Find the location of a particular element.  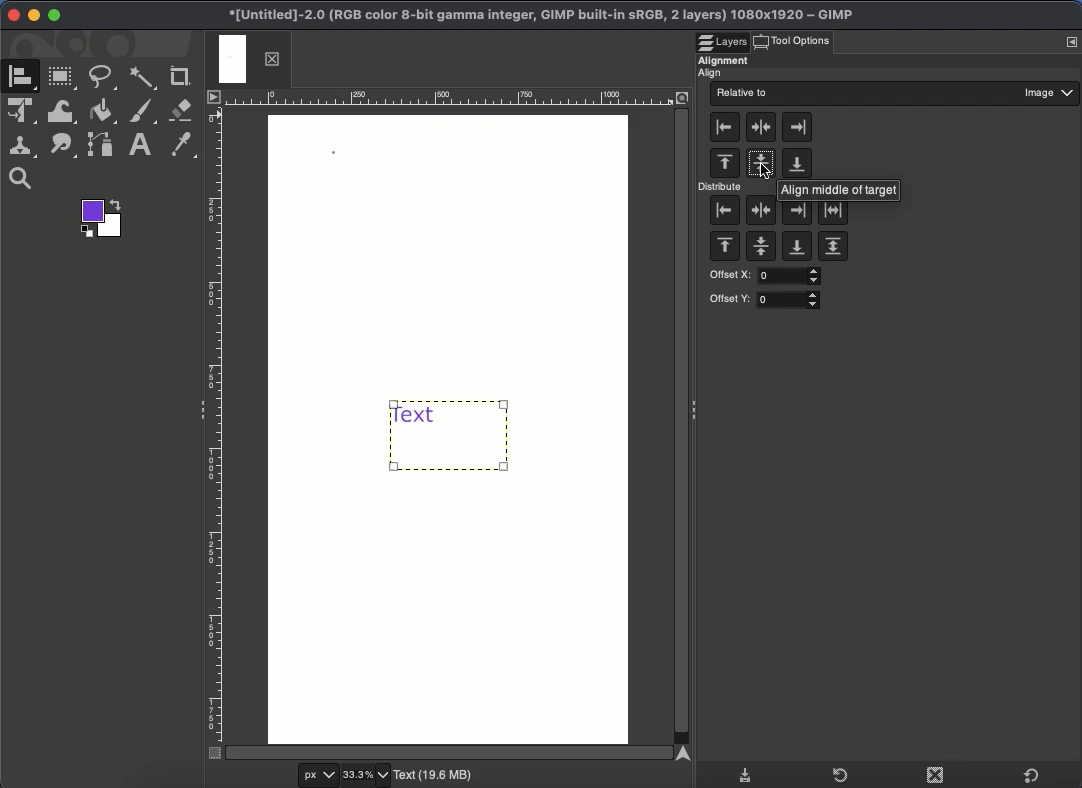

Align to the bottom is located at coordinates (795, 164).